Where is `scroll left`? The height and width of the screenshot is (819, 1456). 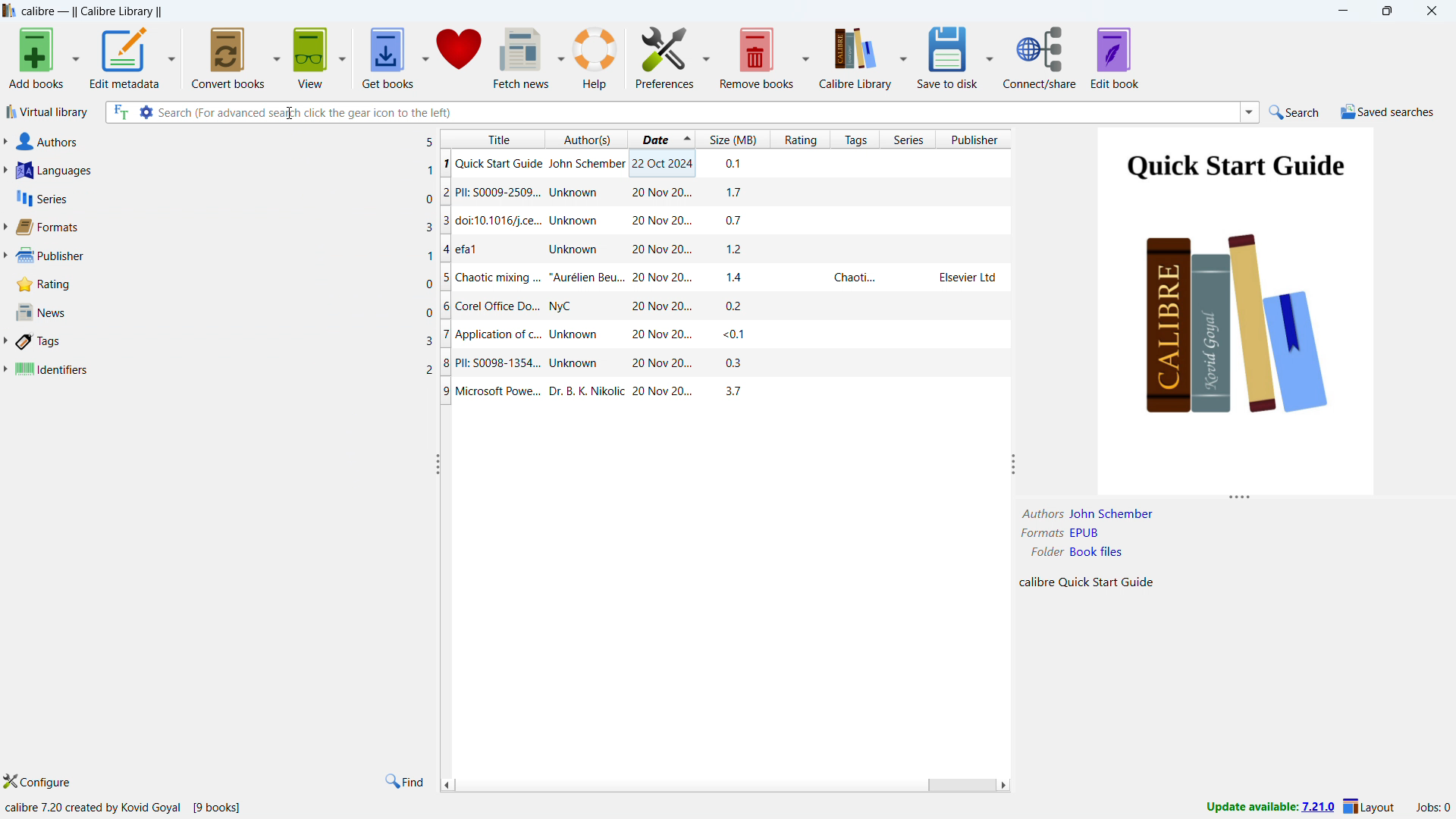 scroll left is located at coordinates (447, 786).